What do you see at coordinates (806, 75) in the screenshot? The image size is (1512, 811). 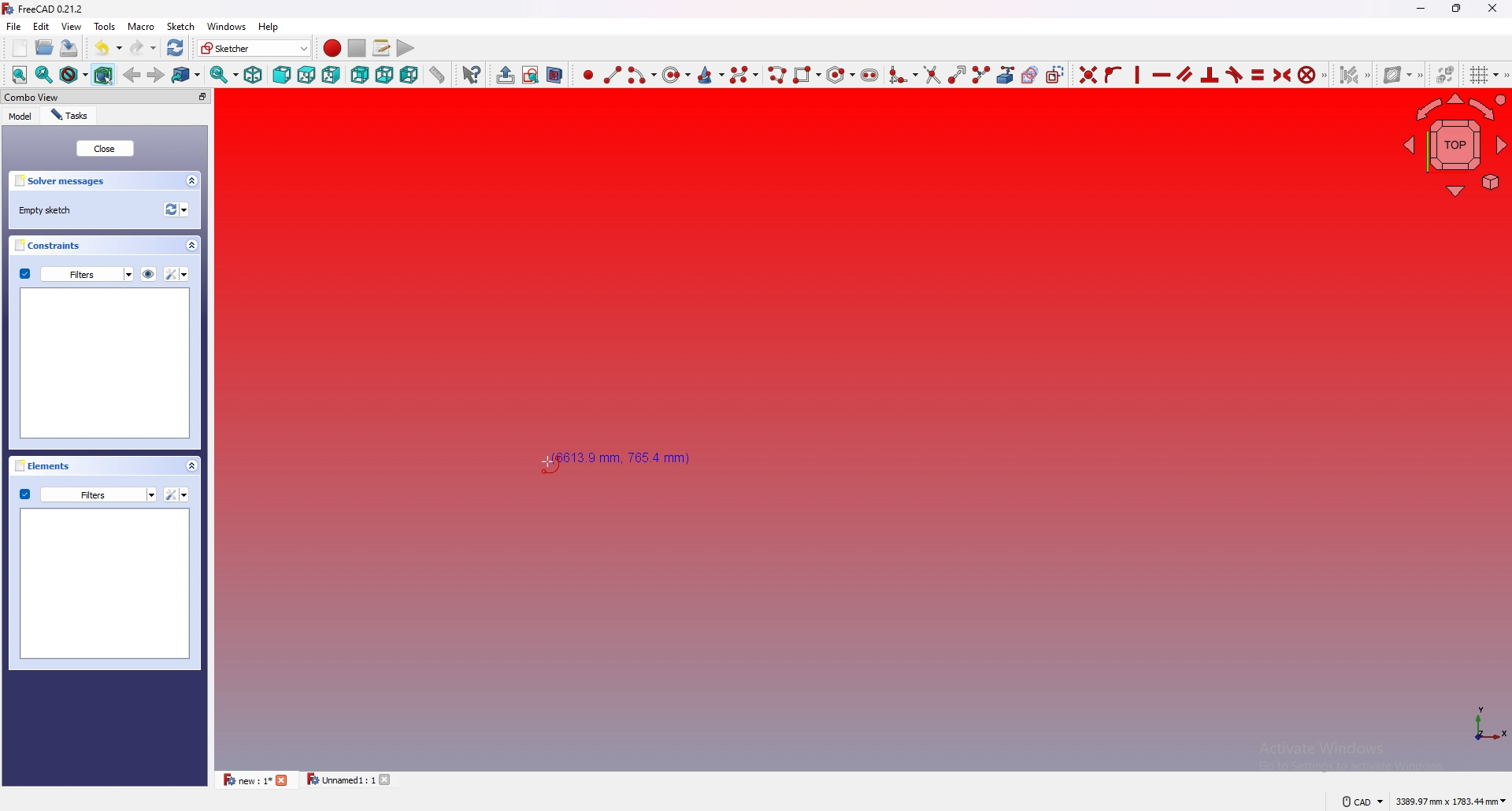 I see `create rectangle` at bounding box center [806, 75].